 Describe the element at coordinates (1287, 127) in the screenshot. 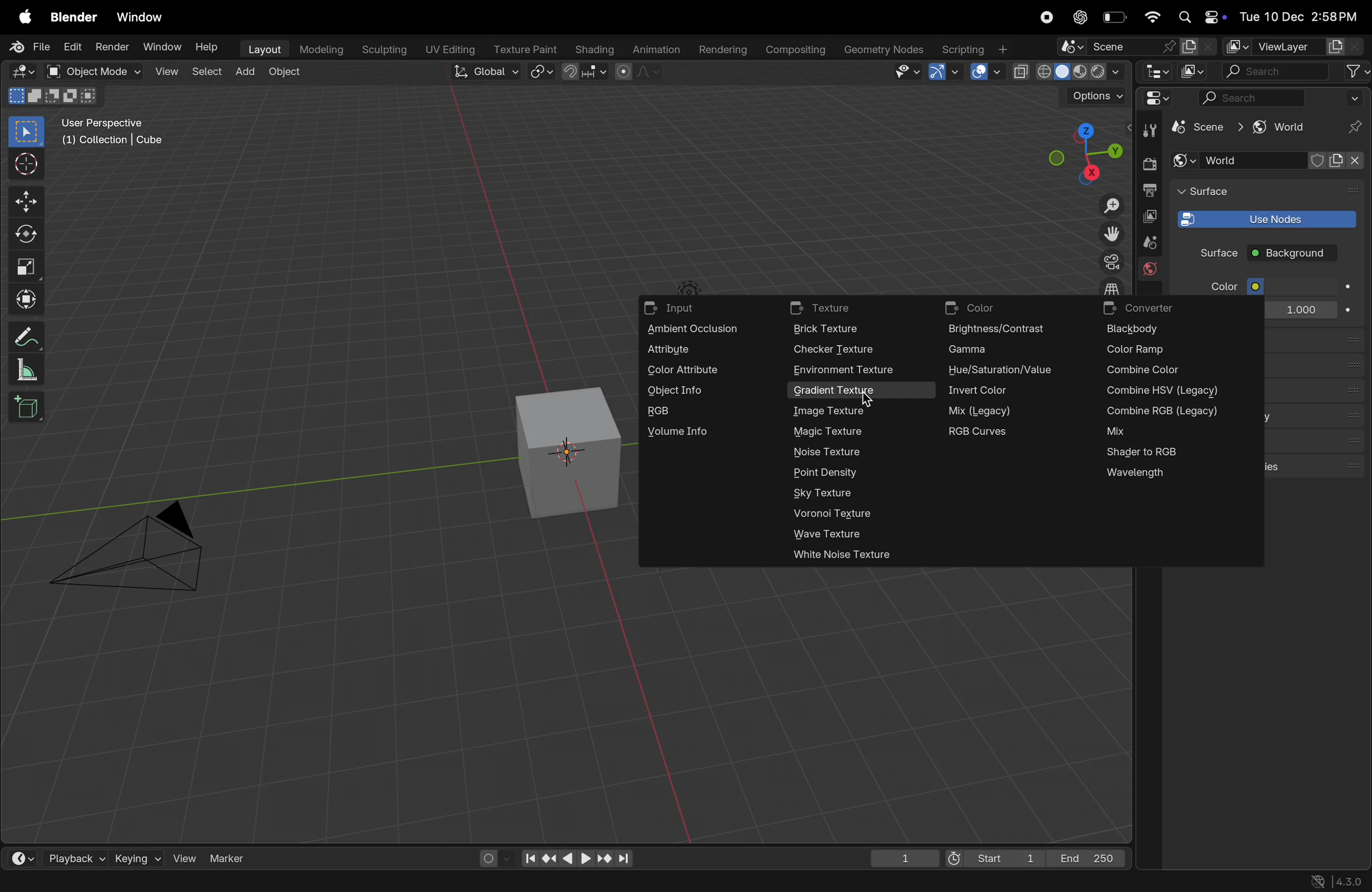

I see `` at that location.